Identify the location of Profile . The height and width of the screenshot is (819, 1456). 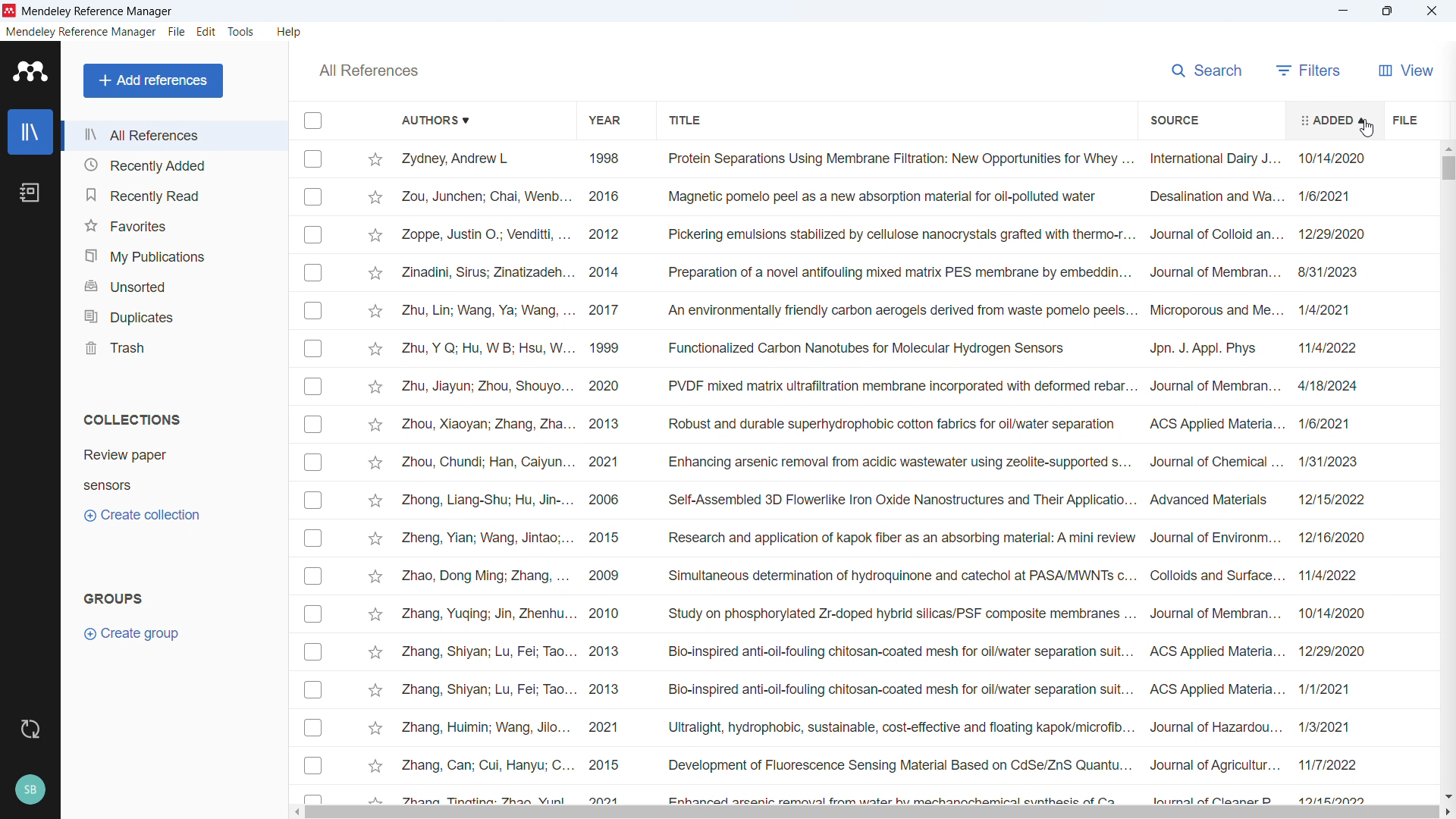
(30, 789).